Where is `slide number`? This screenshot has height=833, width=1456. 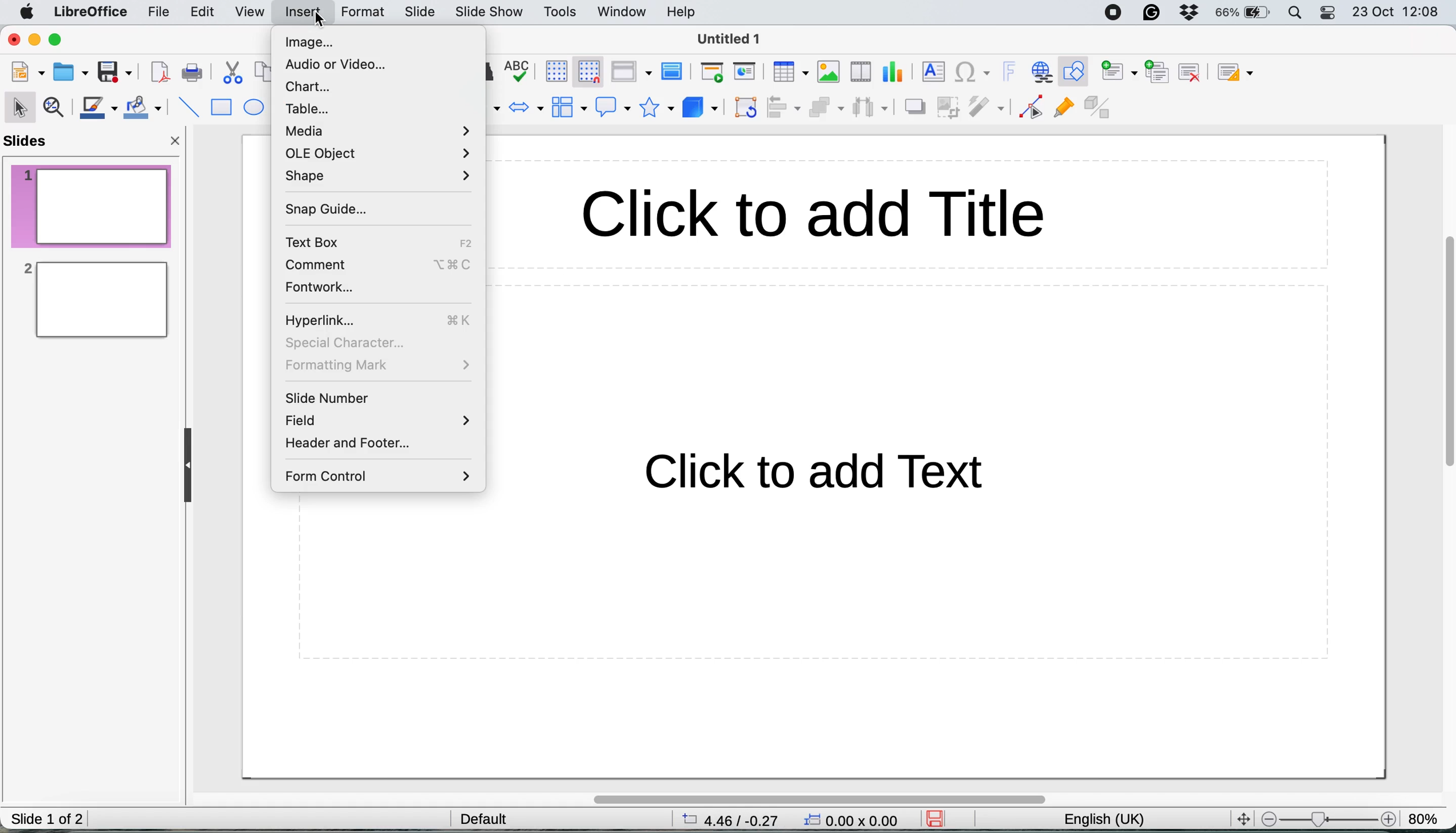 slide number is located at coordinates (329, 399).